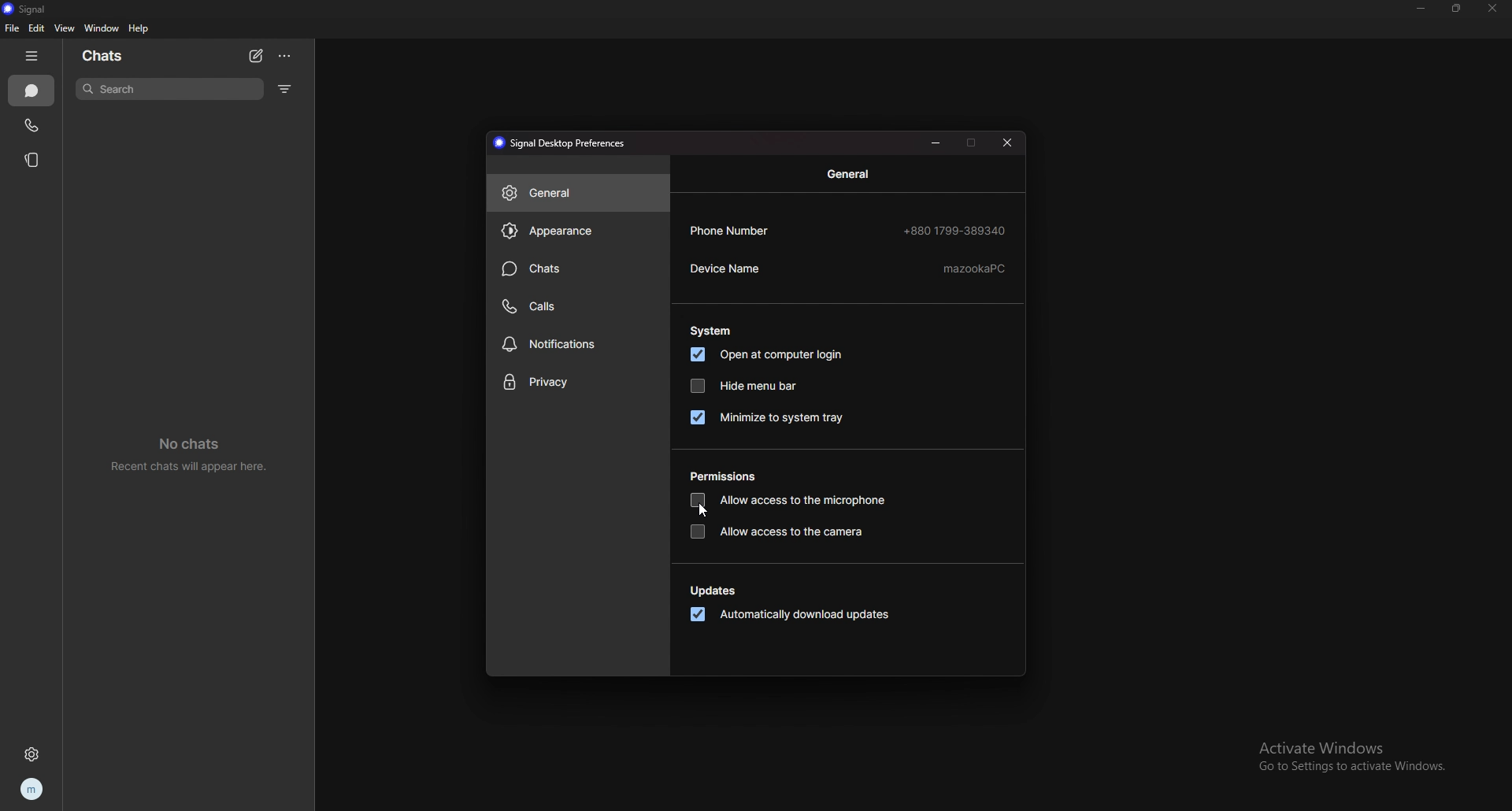 This screenshot has width=1512, height=811. What do you see at coordinates (287, 90) in the screenshot?
I see `filter` at bounding box center [287, 90].